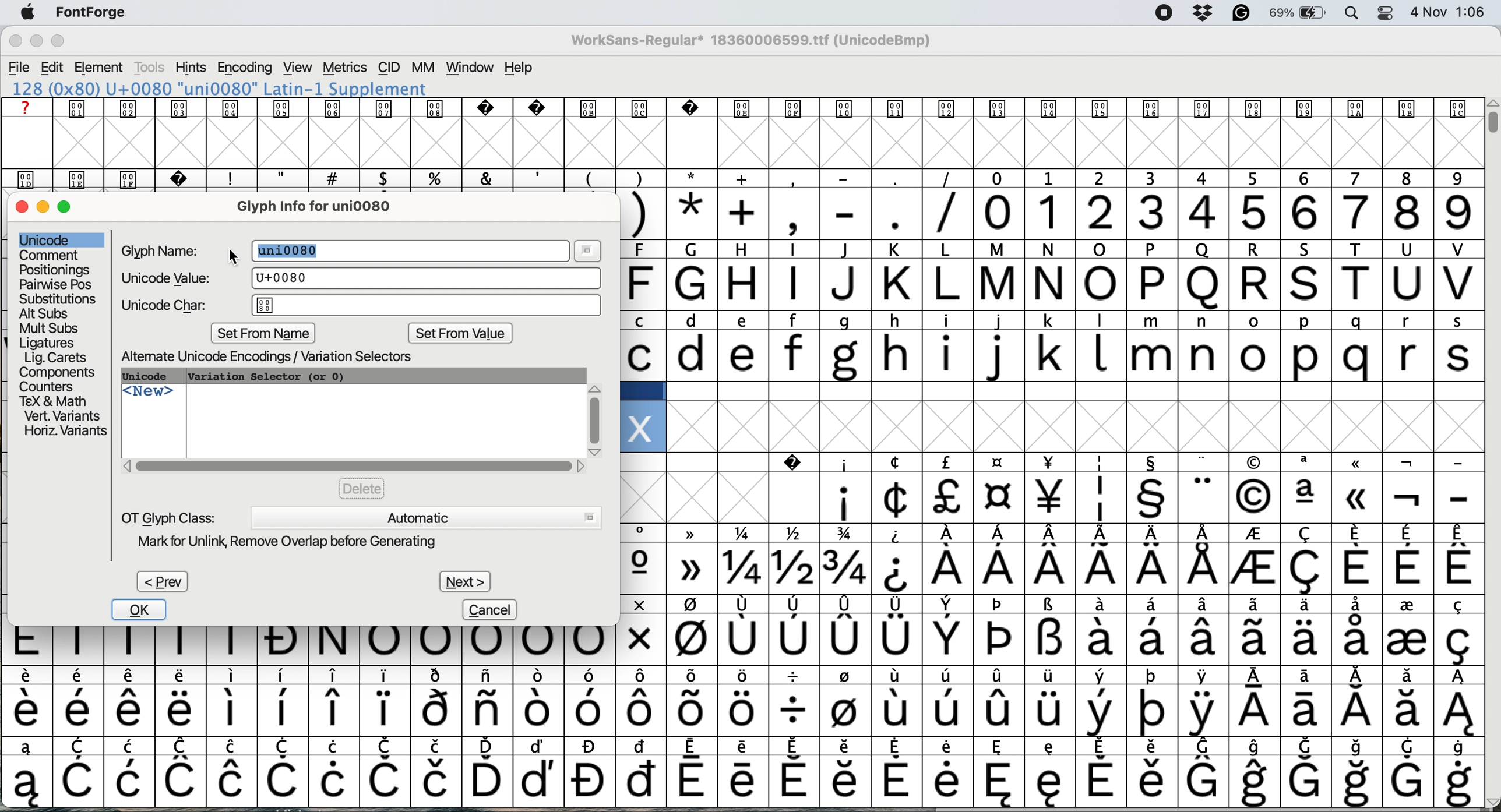 This screenshot has width=1501, height=812. I want to click on special characters, so click(1055, 569).